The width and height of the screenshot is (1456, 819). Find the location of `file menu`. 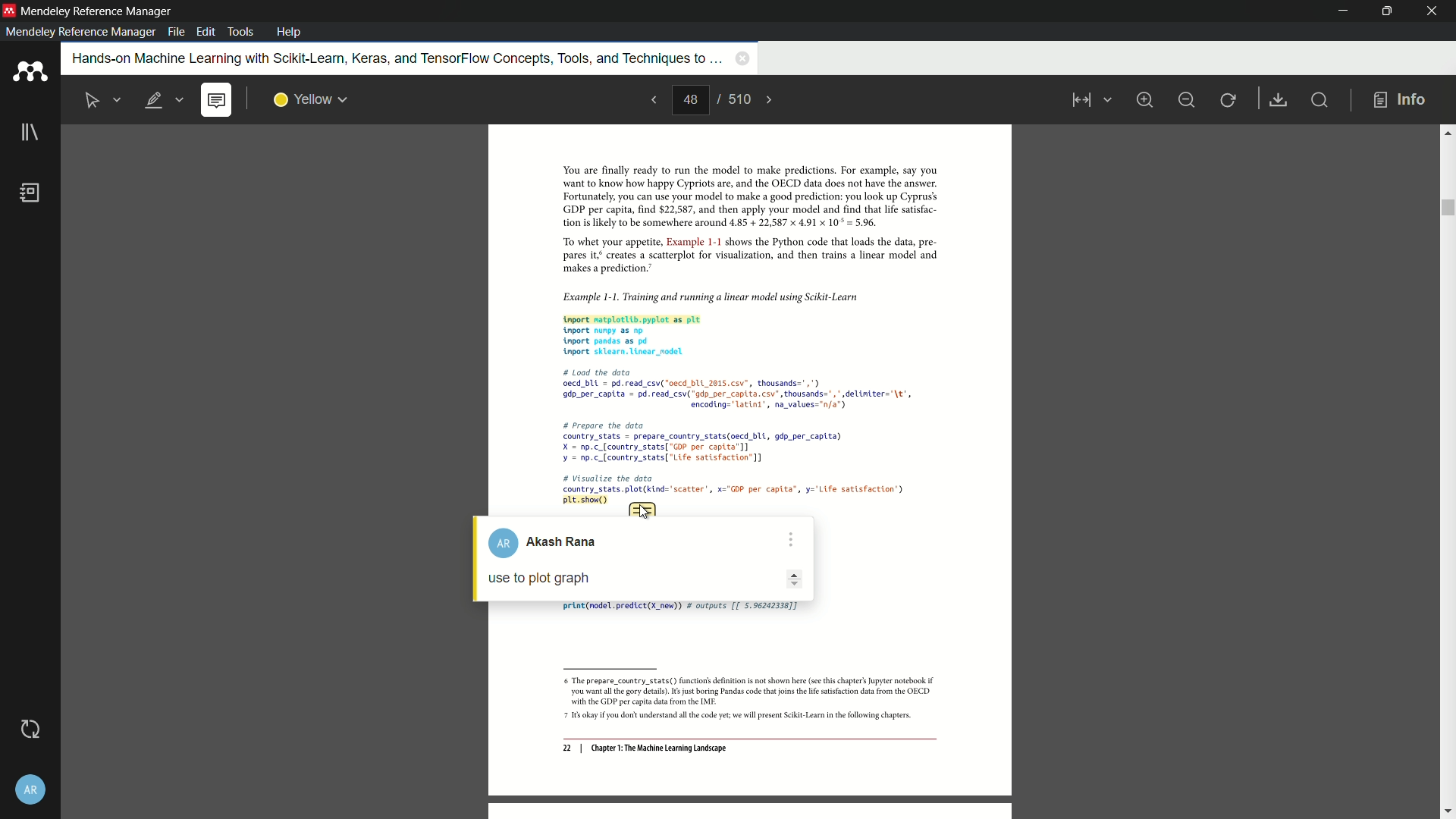

file menu is located at coordinates (176, 32).